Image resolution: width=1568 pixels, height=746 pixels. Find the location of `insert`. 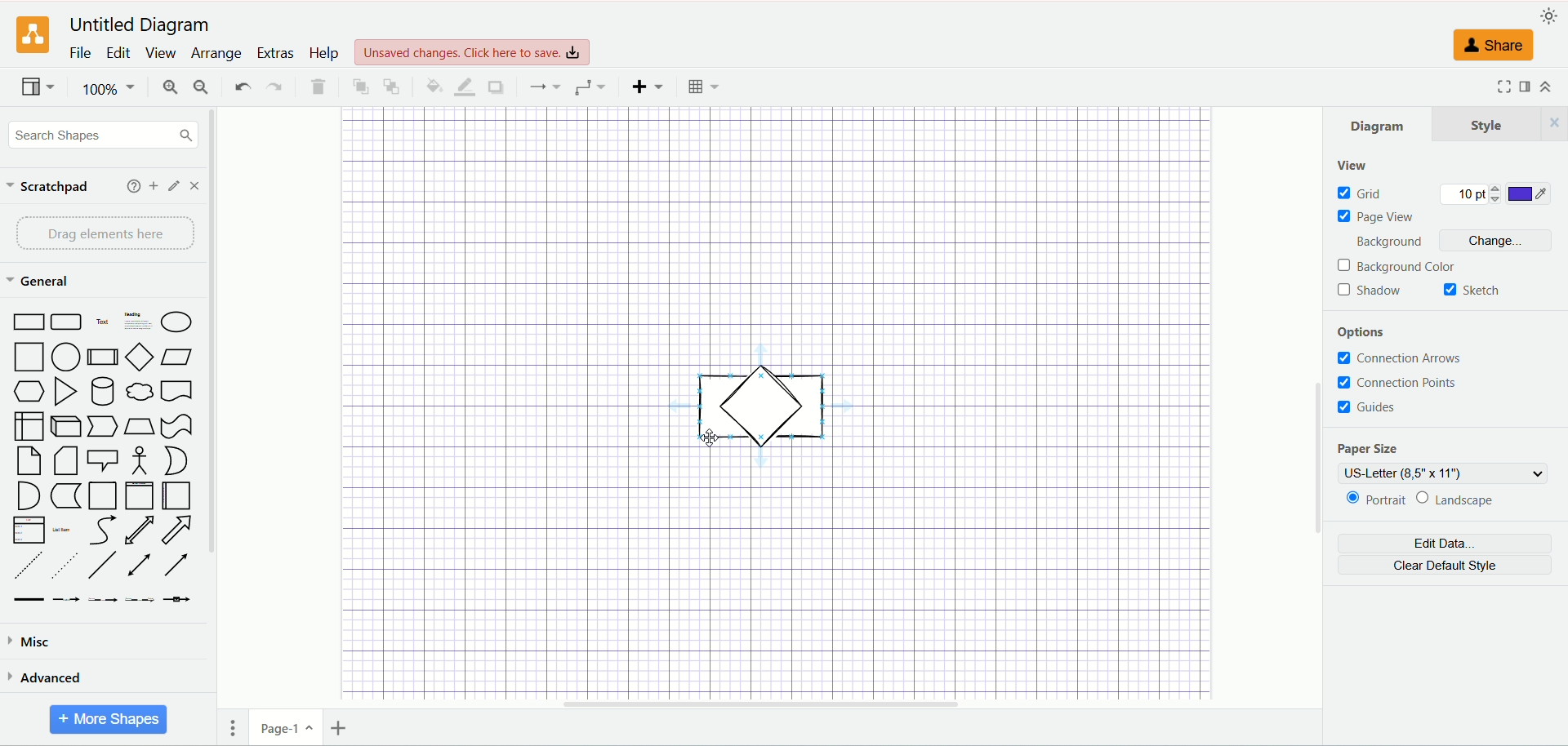

insert is located at coordinates (649, 86).